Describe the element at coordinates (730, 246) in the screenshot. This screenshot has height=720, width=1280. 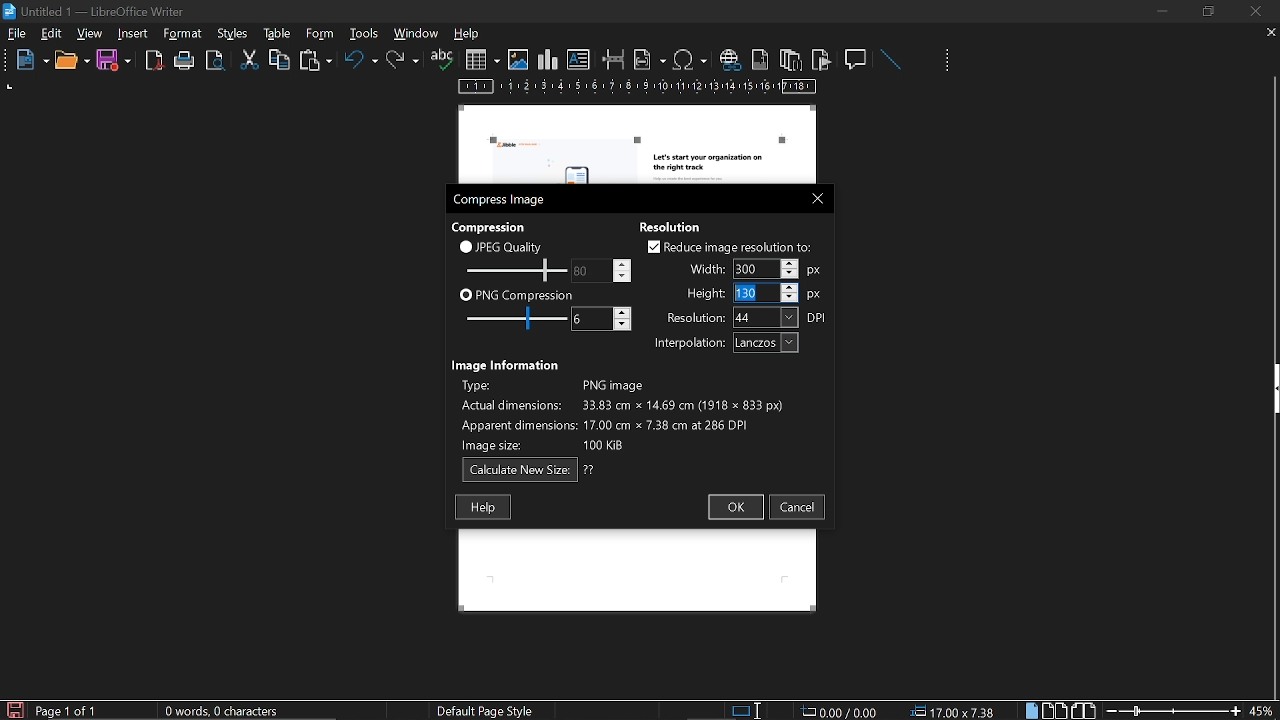
I see `reduce image resolution` at that location.